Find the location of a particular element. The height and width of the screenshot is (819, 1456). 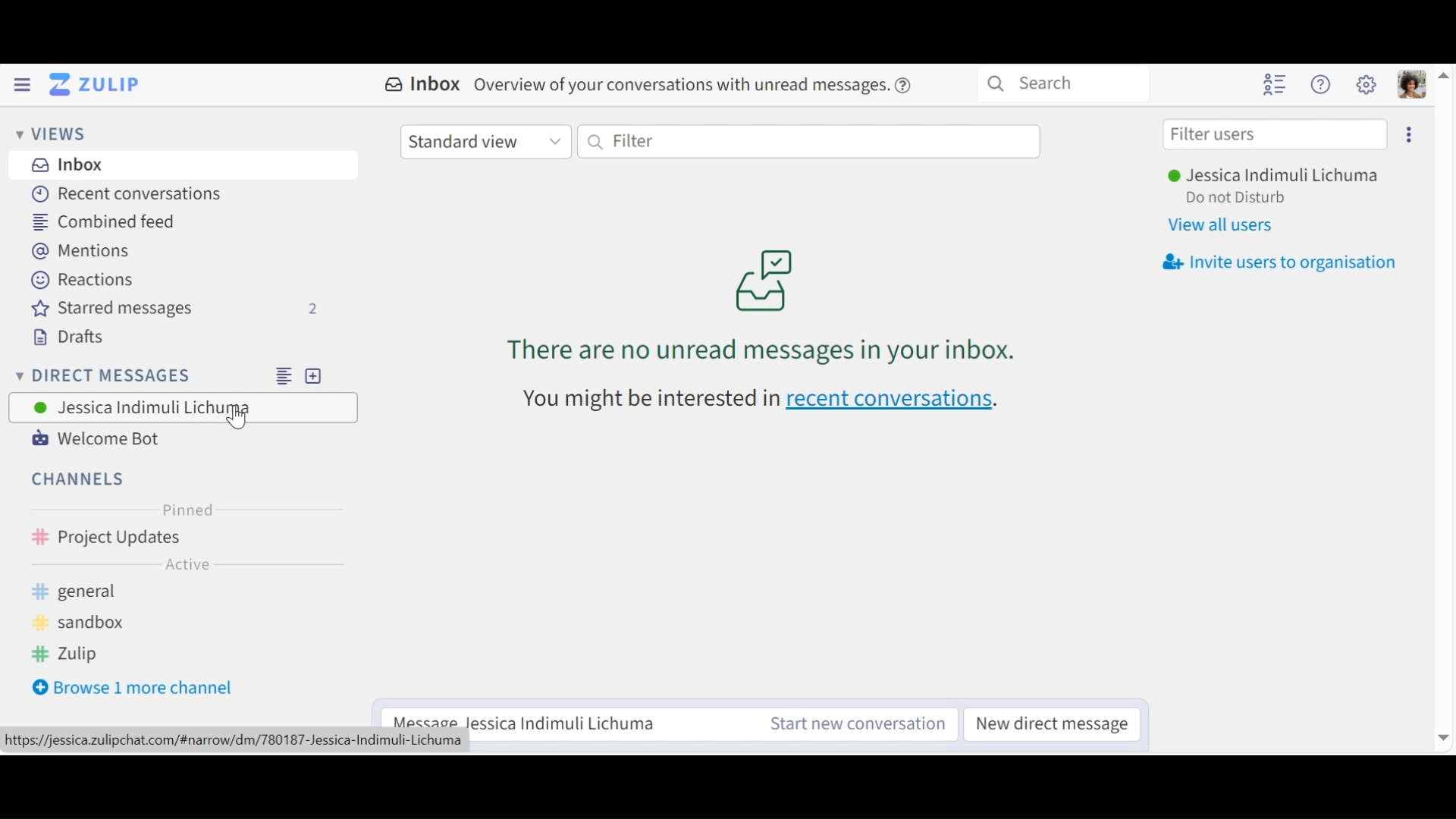

Invite users to organisation is located at coordinates (1282, 264).